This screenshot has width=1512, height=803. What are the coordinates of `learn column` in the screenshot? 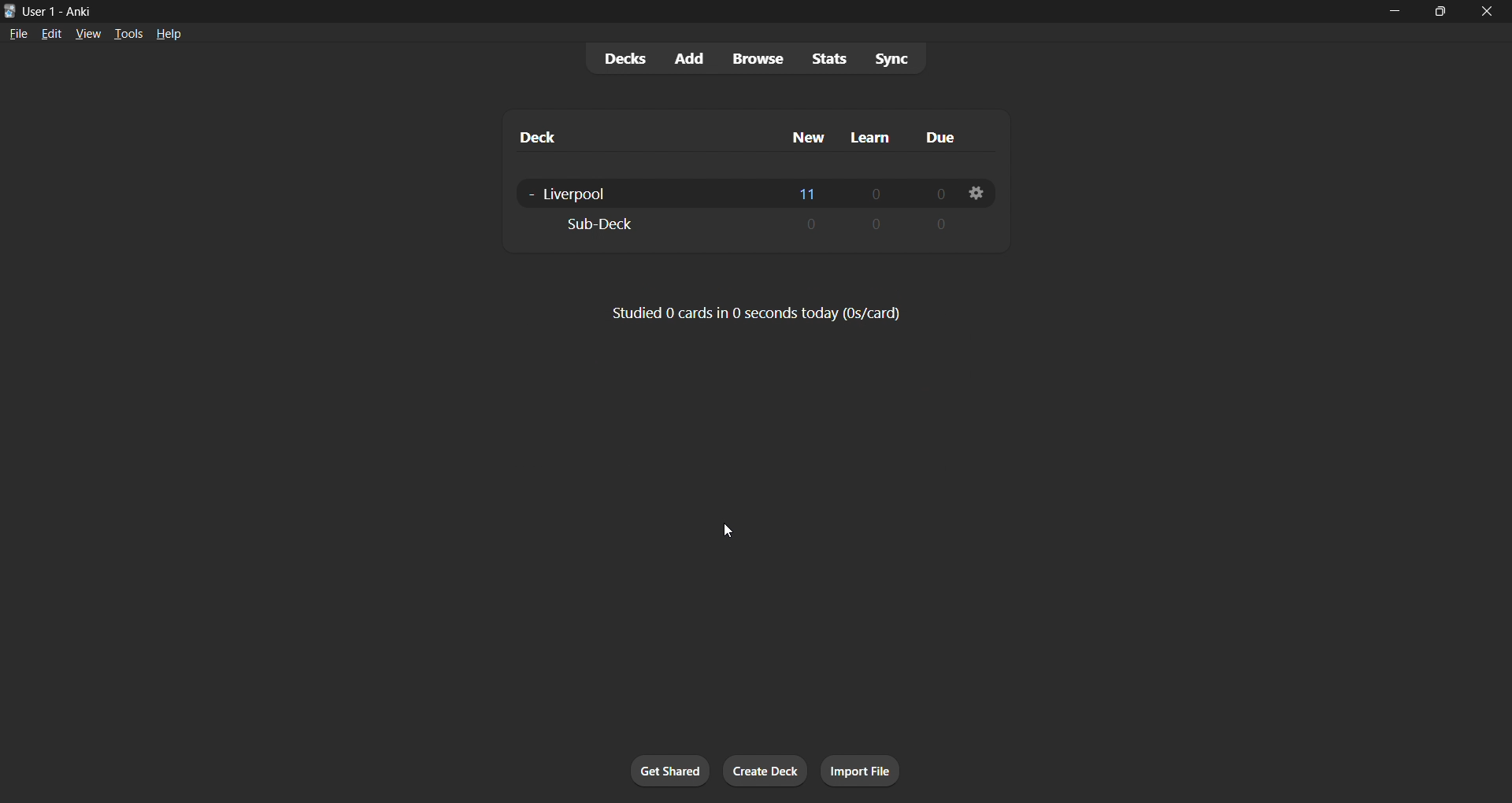 It's located at (873, 136).